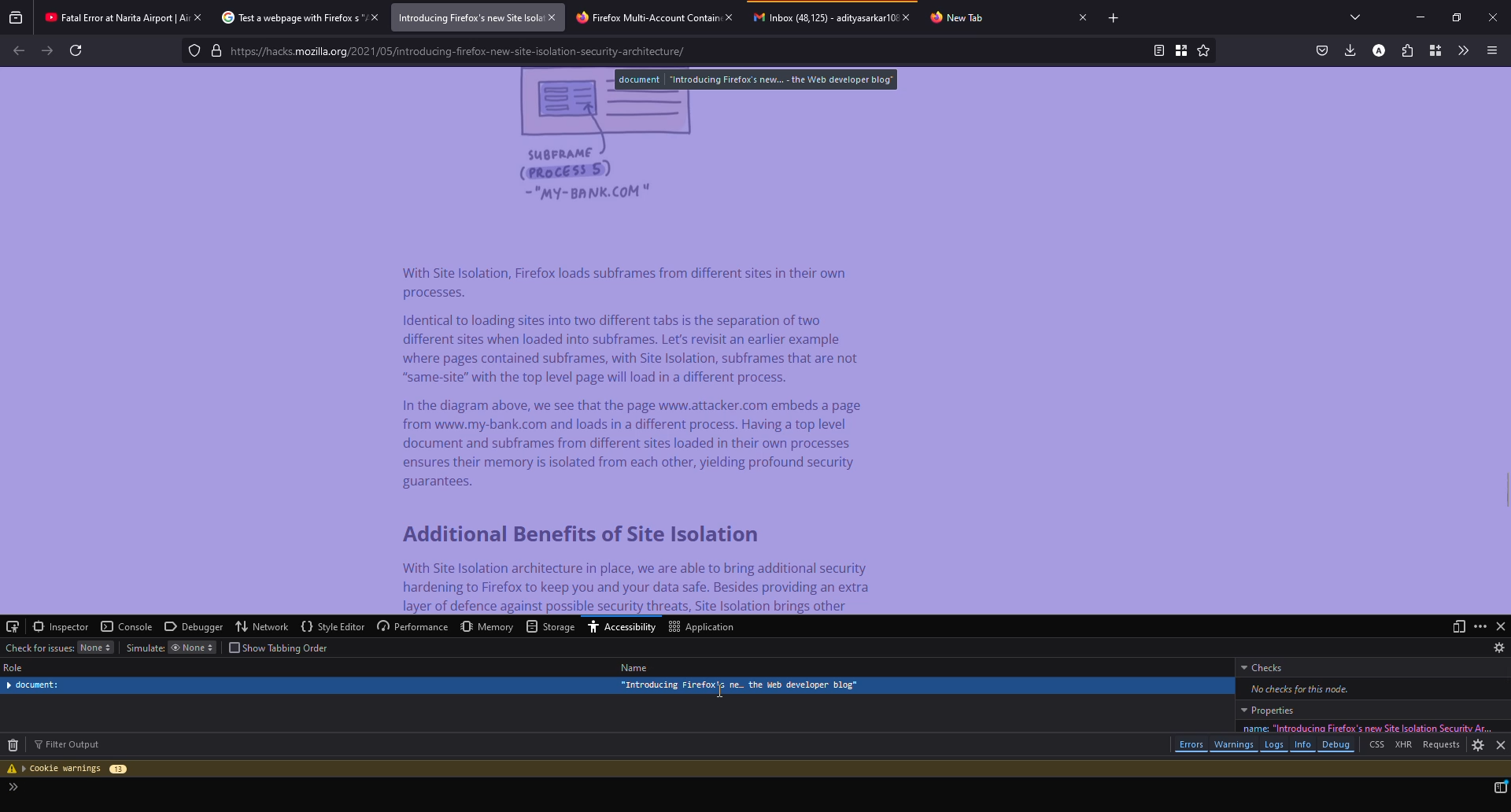 Image resolution: width=1511 pixels, height=812 pixels. I want to click on Firefox Multi-Account Contain, so click(643, 16).